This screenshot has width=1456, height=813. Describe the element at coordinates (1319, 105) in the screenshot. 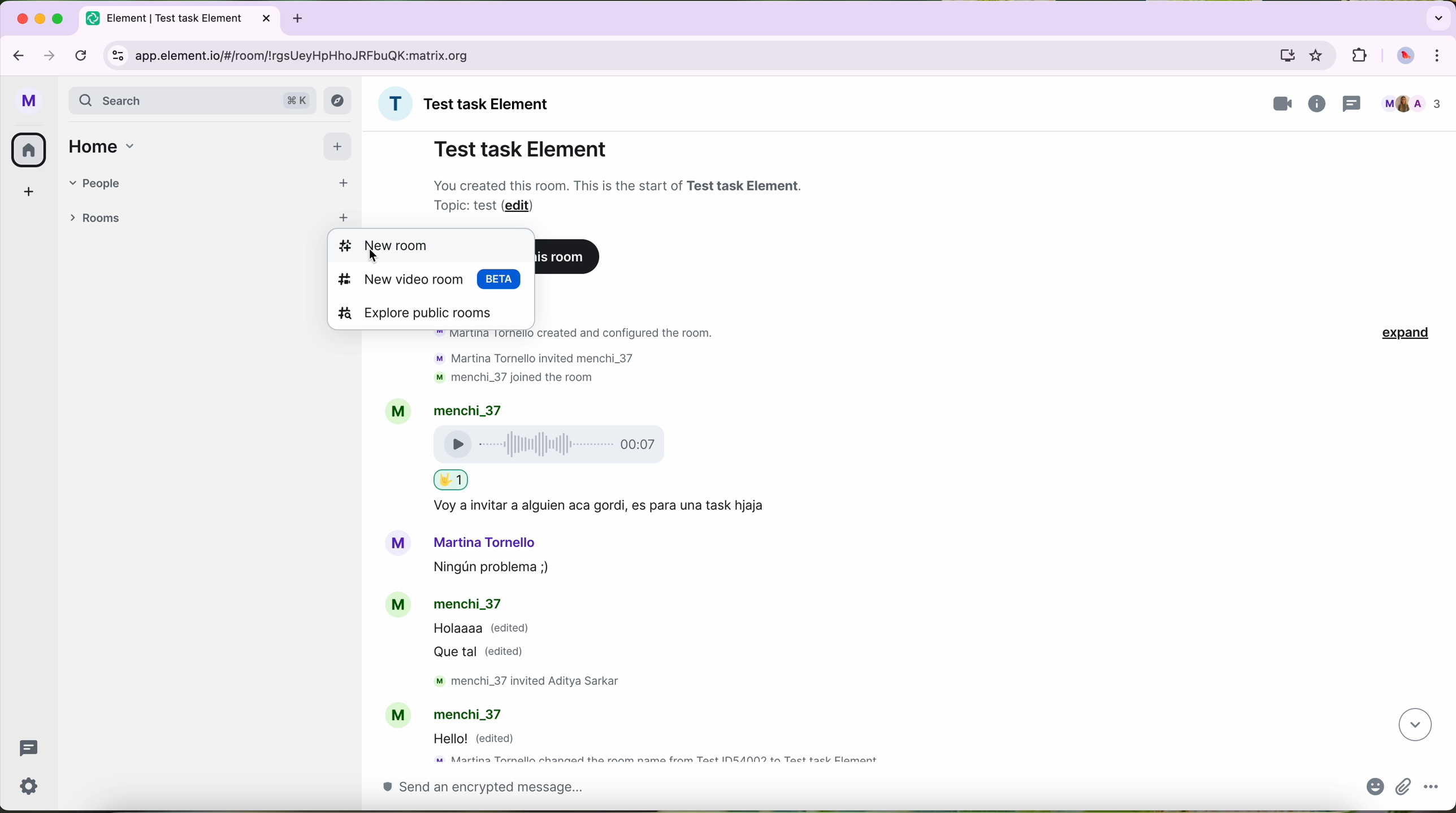

I see `information` at that location.